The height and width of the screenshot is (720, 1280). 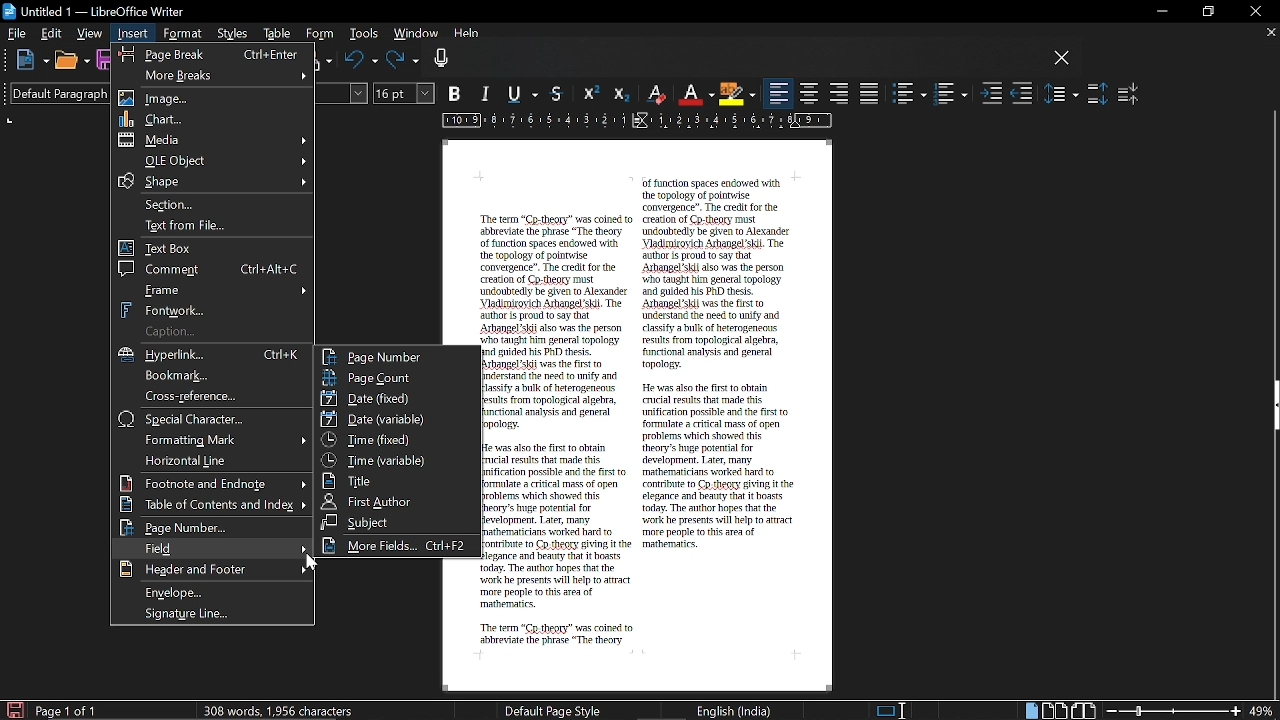 What do you see at coordinates (468, 36) in the screenshot?
I see `Help` at bounding box center [468, 36].